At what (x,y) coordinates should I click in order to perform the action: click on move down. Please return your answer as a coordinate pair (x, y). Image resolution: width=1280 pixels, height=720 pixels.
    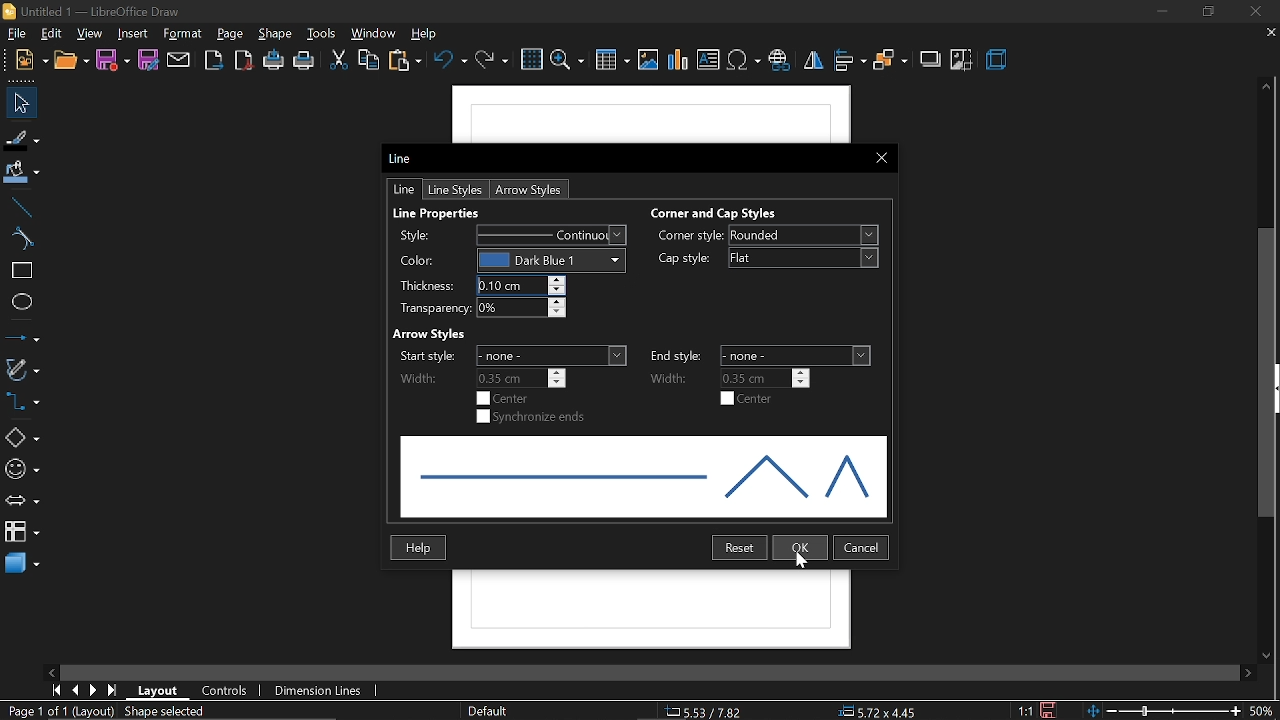
    Looking at the image, I should click on (1270, 657).